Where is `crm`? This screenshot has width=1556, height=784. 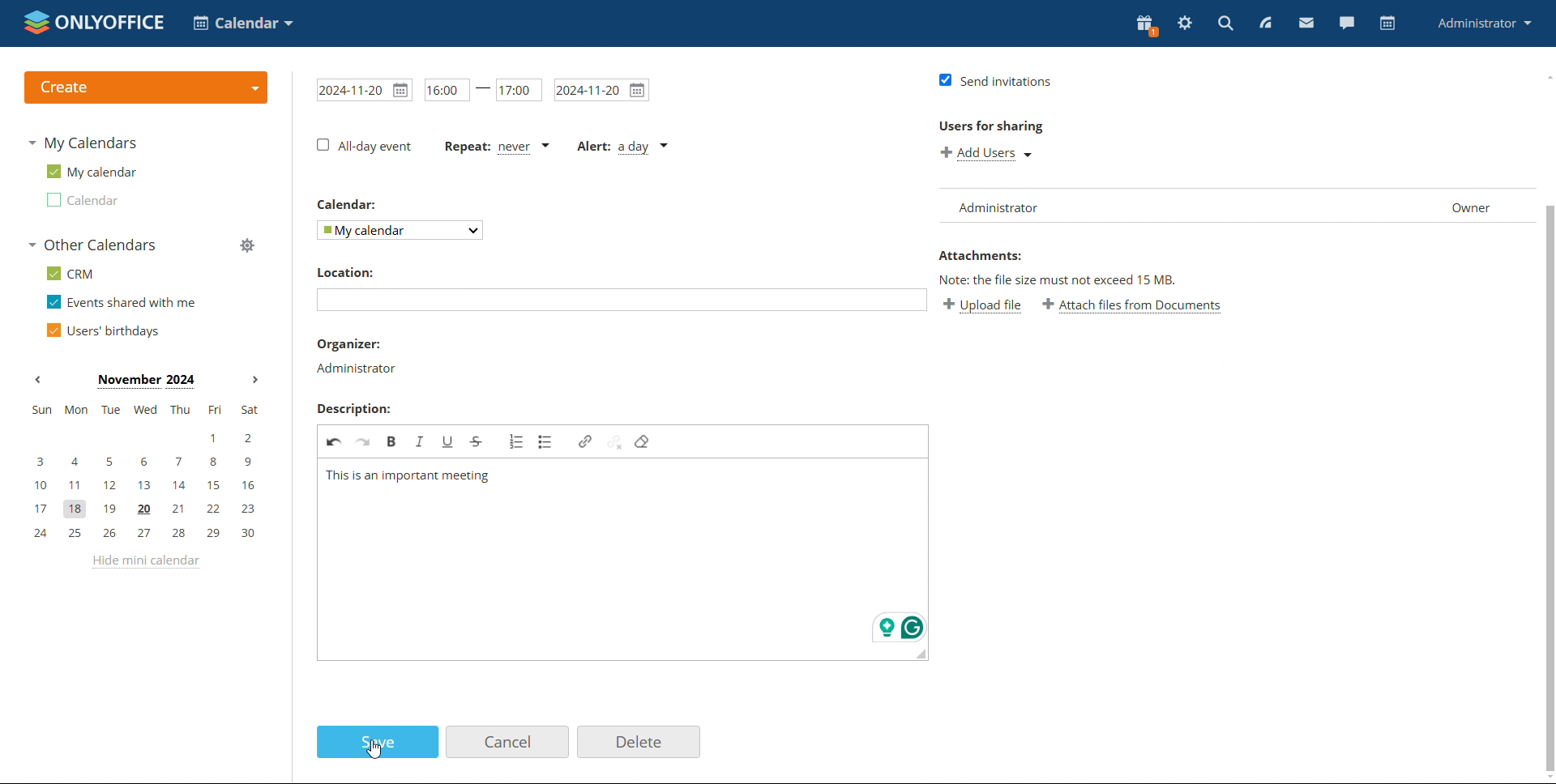
crm is located at coordinates (69, 274).